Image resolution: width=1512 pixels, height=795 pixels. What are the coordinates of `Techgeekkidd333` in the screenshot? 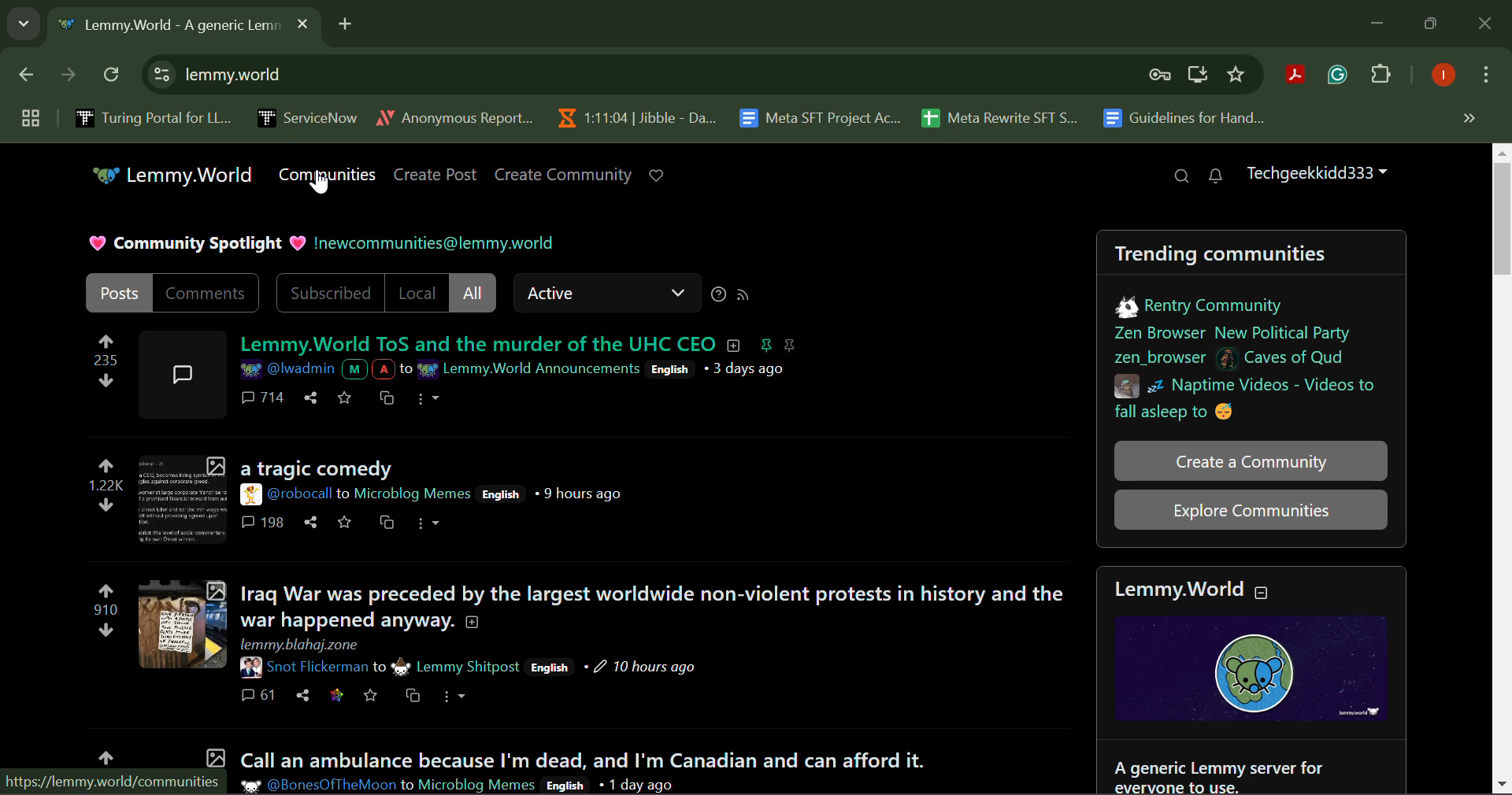 It's located at (1315, 172).